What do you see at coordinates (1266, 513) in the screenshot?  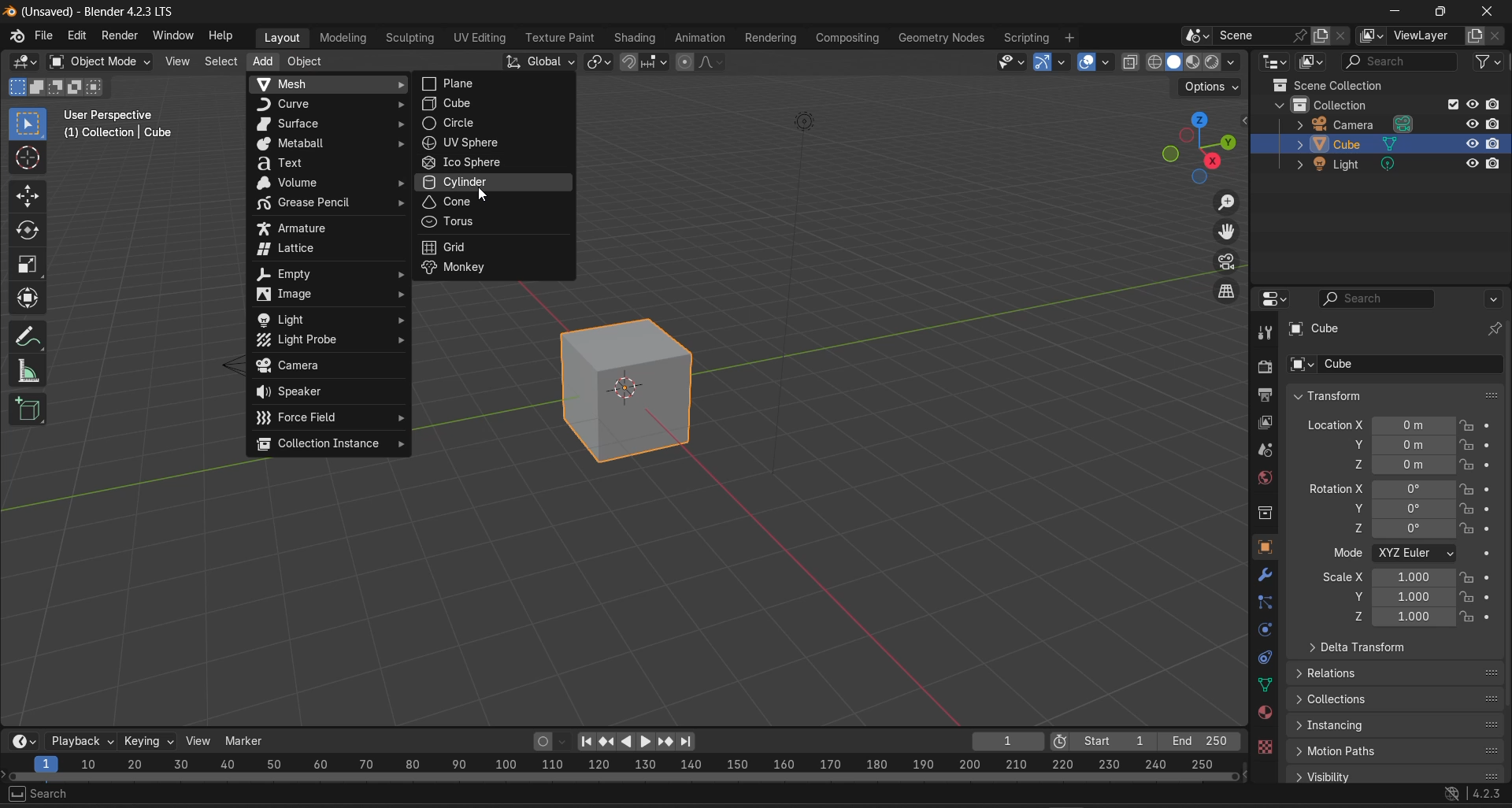 I see `collection` at bounding box center [1266, 513].